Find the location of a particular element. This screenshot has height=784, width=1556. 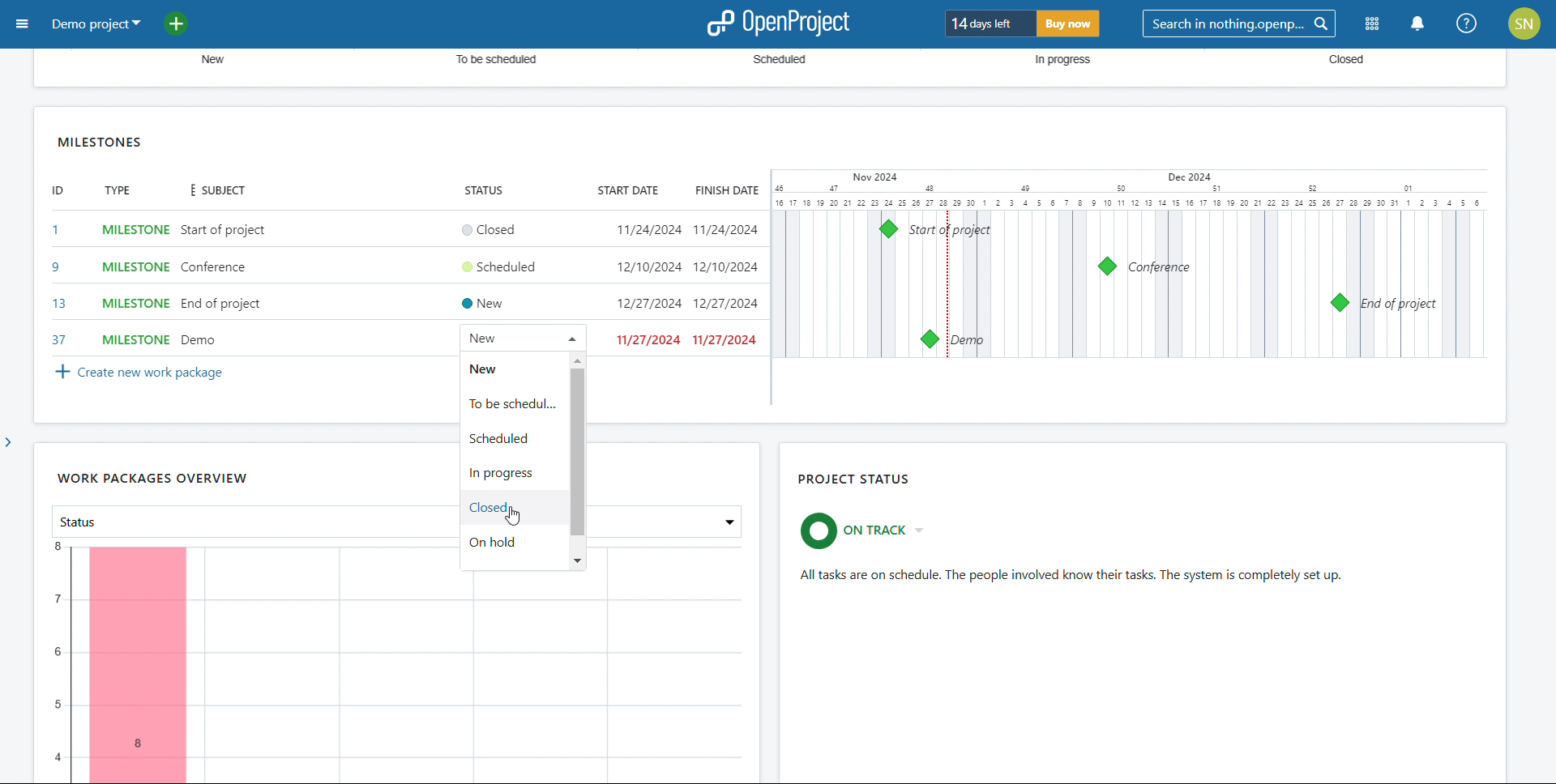

select attribute is located at coordinates (243, 520).